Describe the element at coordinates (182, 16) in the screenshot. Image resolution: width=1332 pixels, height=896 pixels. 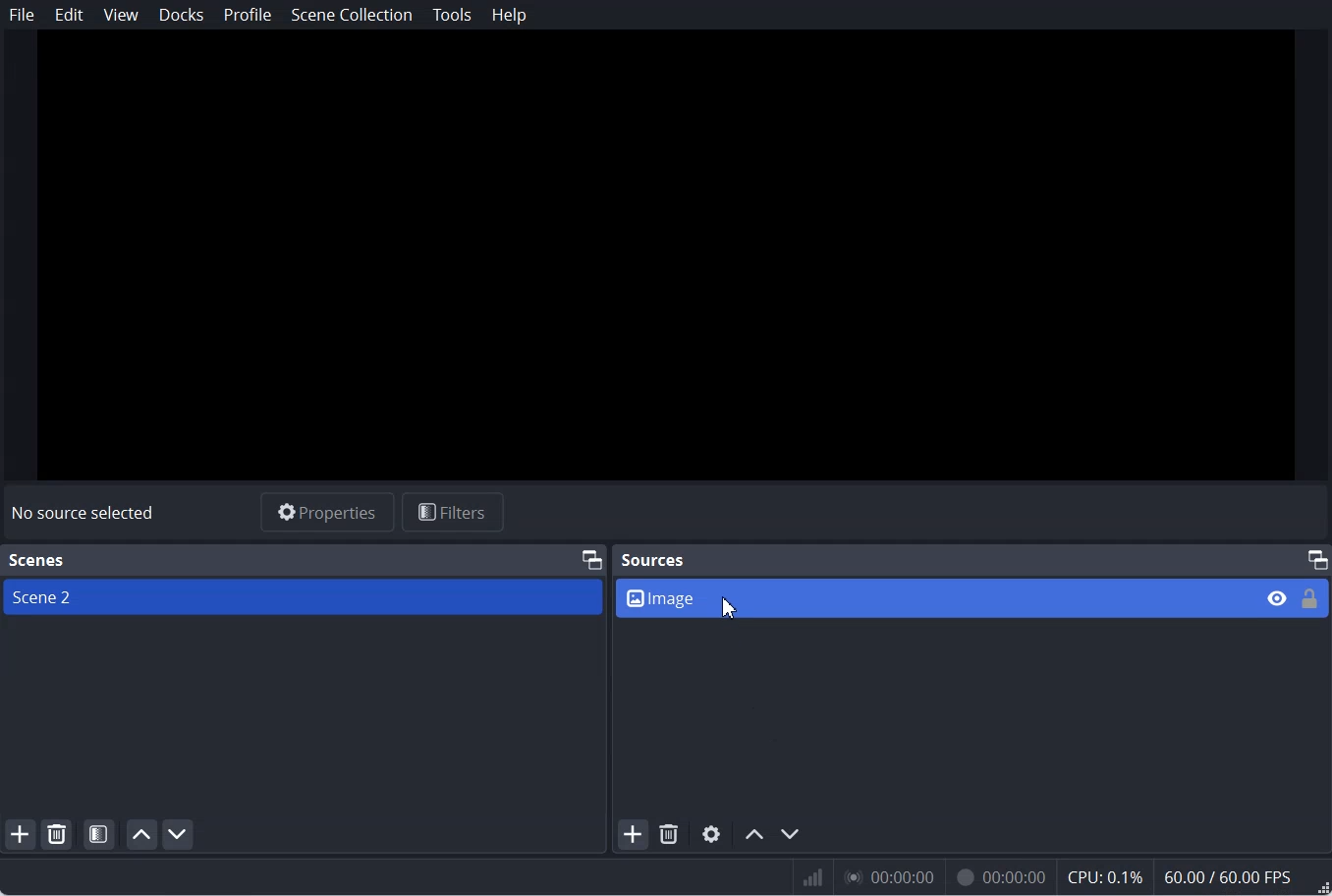
I see `Docks` at that location.